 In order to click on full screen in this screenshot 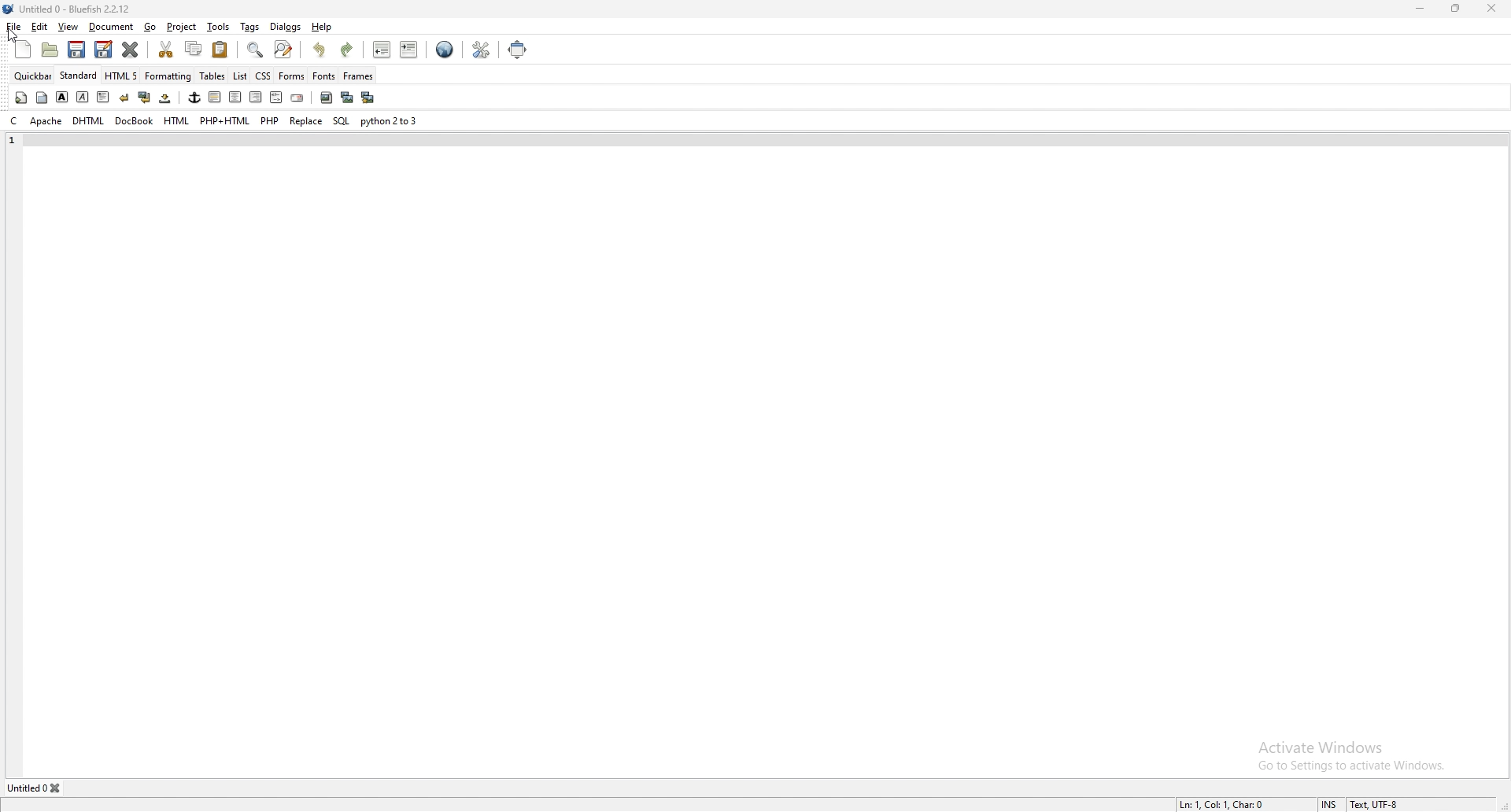, I will do `click(518, 50)`.